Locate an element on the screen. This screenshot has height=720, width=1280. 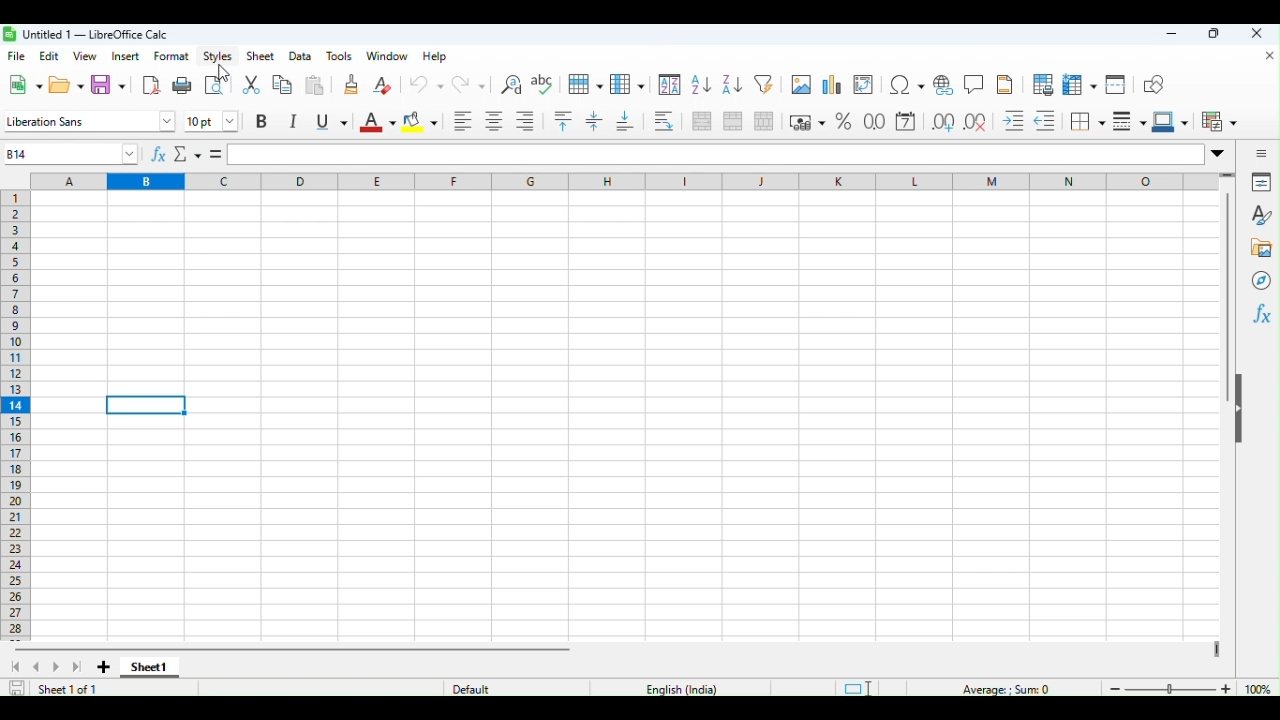
Border colour is located at coordinates (1171, 124).